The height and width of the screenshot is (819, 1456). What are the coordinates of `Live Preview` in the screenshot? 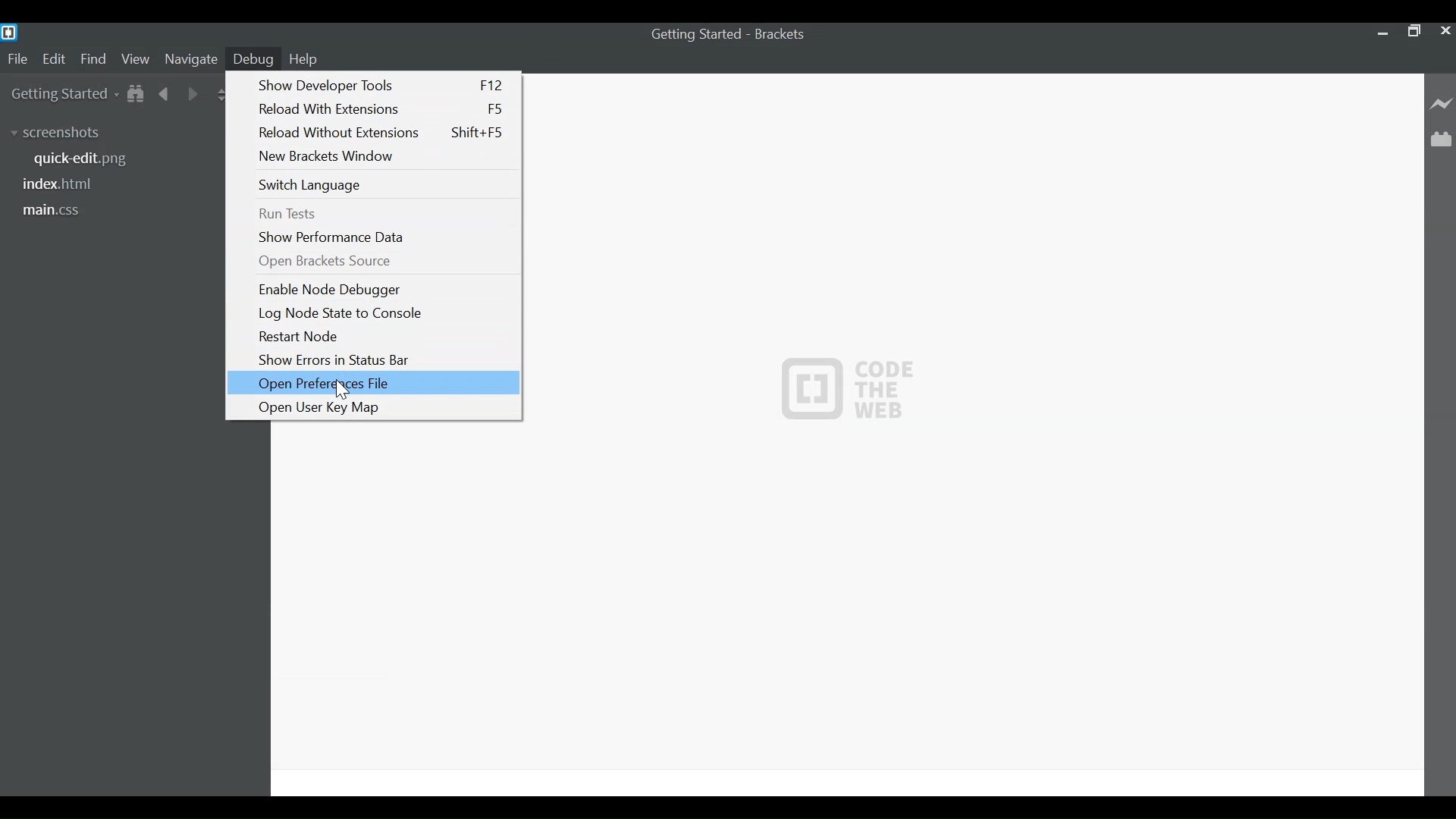 It's located at (1442, 103).